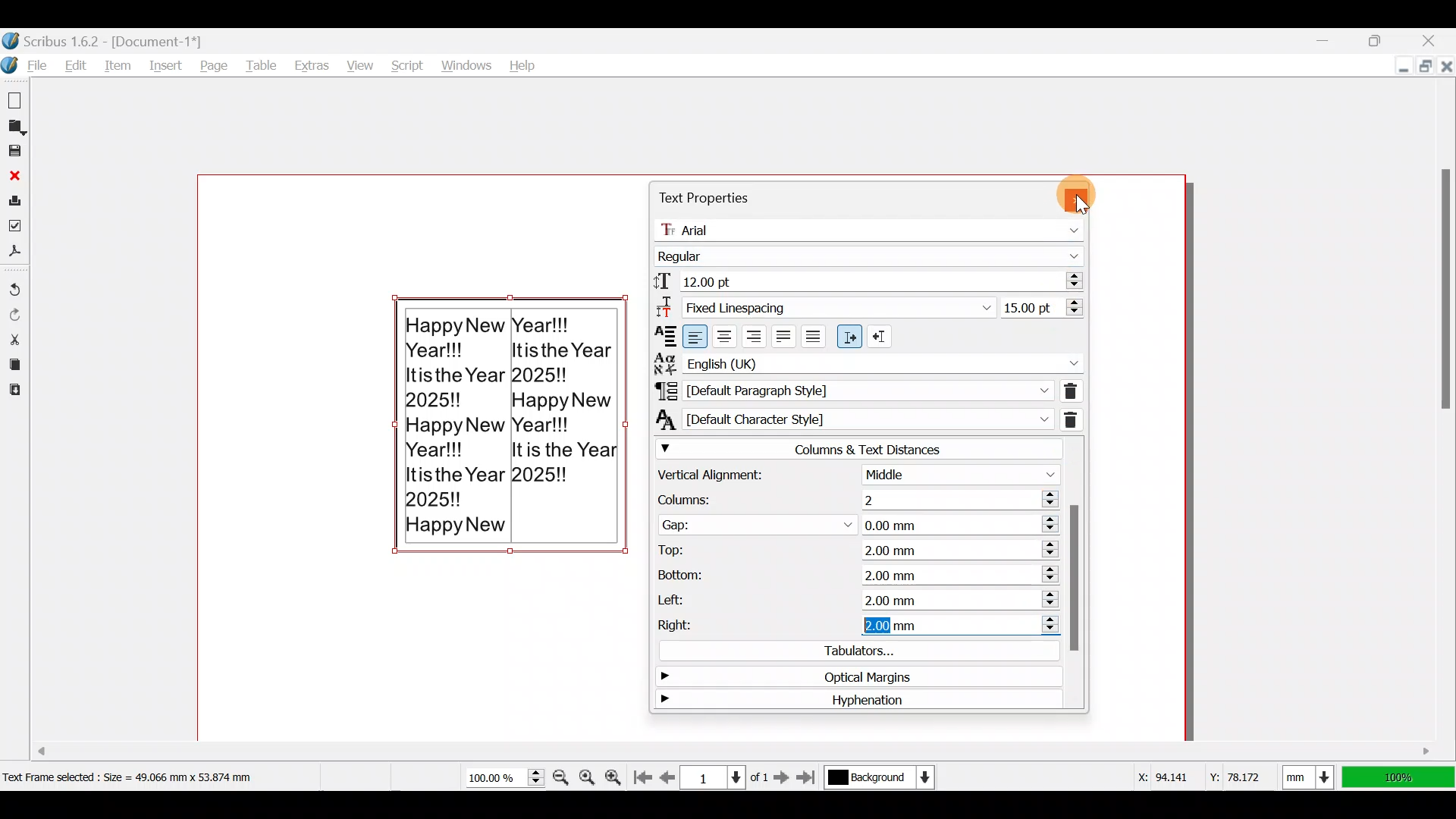 The width and height of the screenshot is (1456, 819). What do you see at coordinates (872, 253) in the screenshot?
I see `Font style` at bounding box center [872, 253].